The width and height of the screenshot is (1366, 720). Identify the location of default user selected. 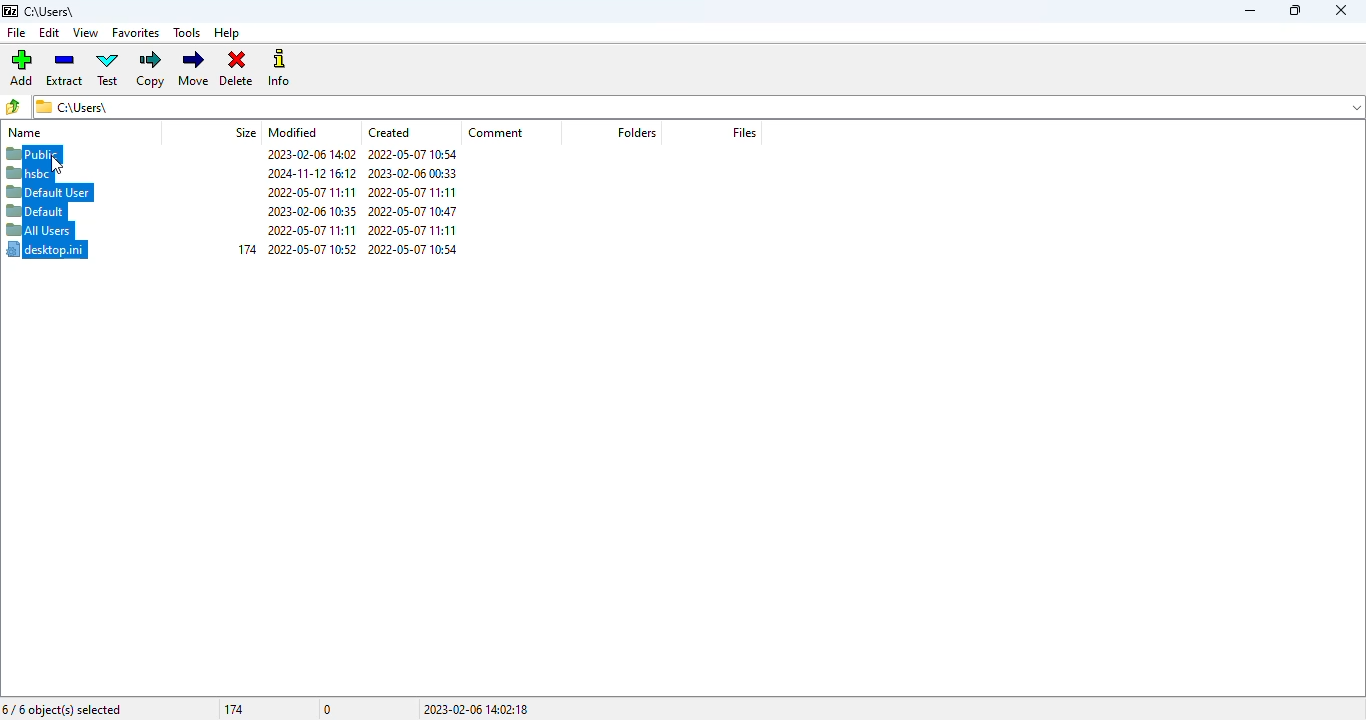
(48, 192).